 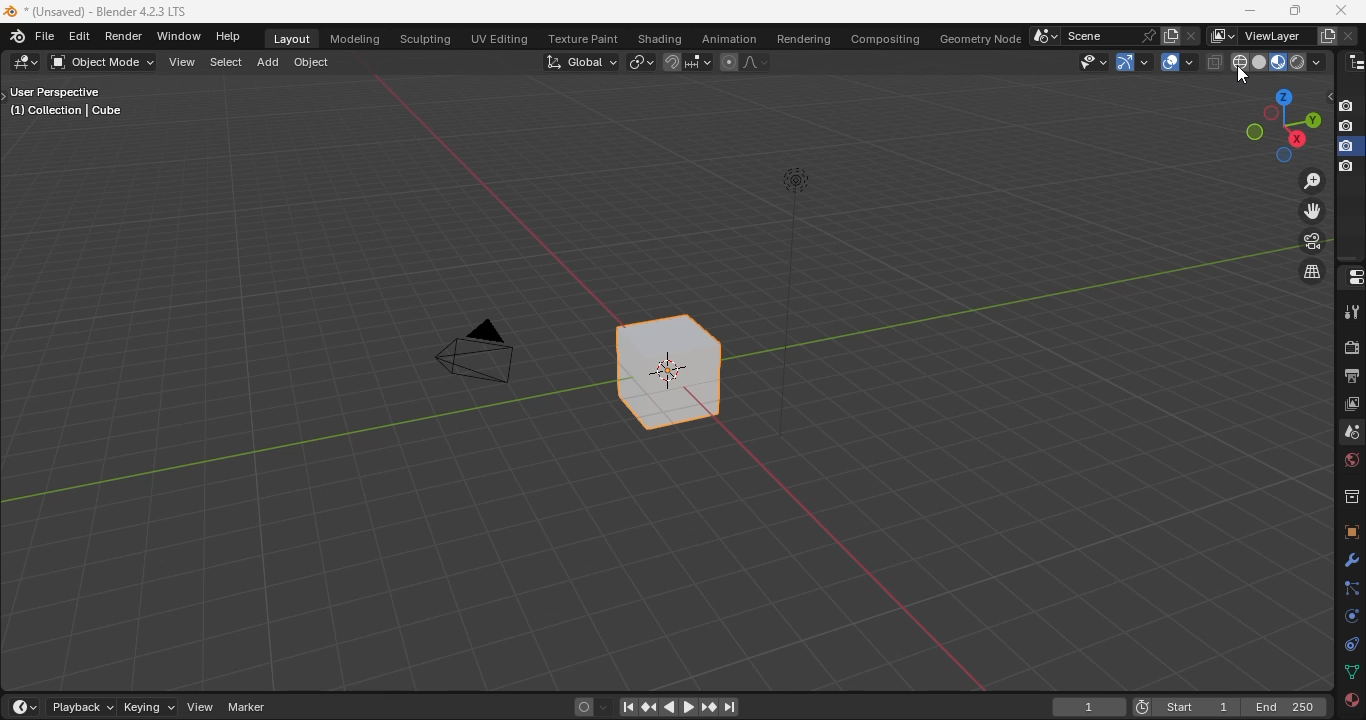 What do you see at coordinates (1340, 9) in the screenshot?
I see `close` at bounding box center [1340, 9].